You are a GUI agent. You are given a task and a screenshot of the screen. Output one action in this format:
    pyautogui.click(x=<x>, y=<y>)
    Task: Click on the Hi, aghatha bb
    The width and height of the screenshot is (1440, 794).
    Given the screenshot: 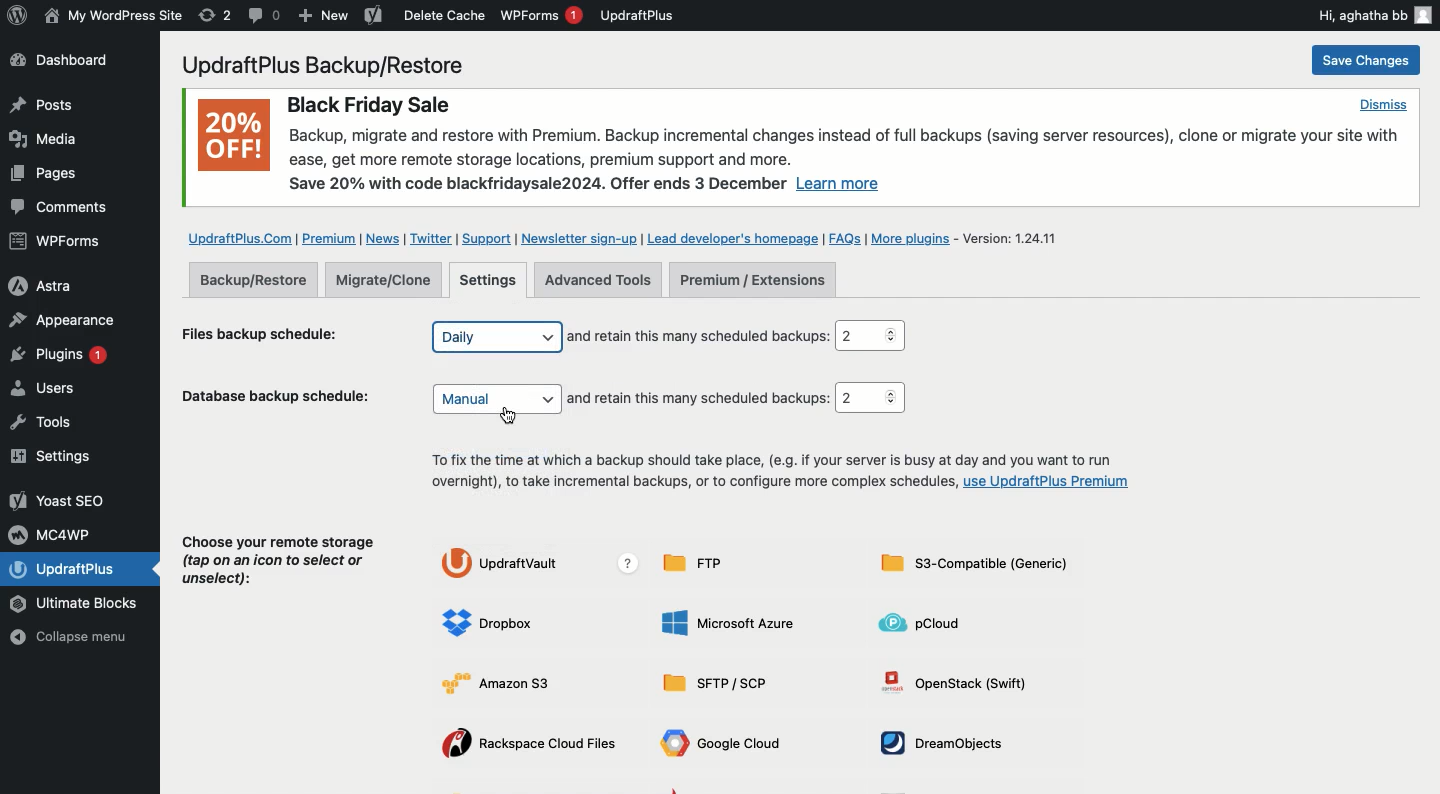 What is the action you would take?
    pyautogui.click(x=1373, y=14)
    